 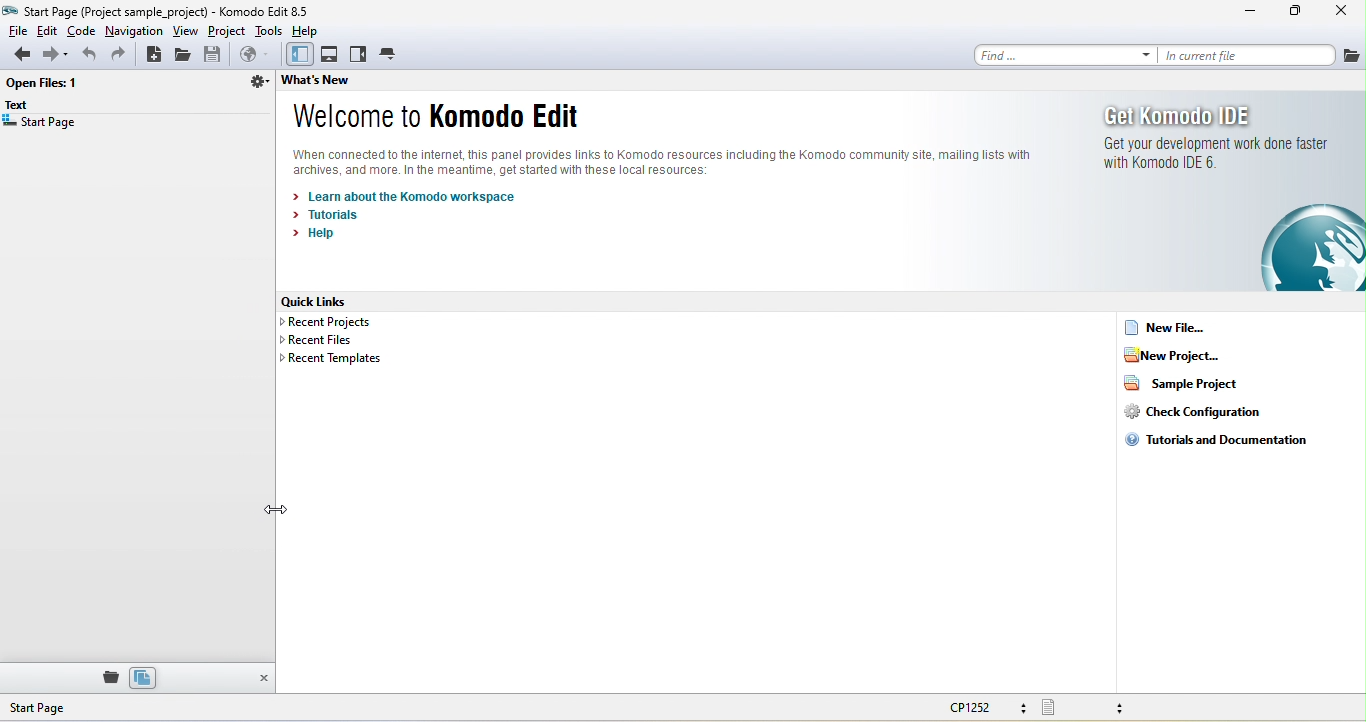 What do you see at coordinates (1097, 707) in the screenshot?
I see `file type` at bounding box center [1097, 707].